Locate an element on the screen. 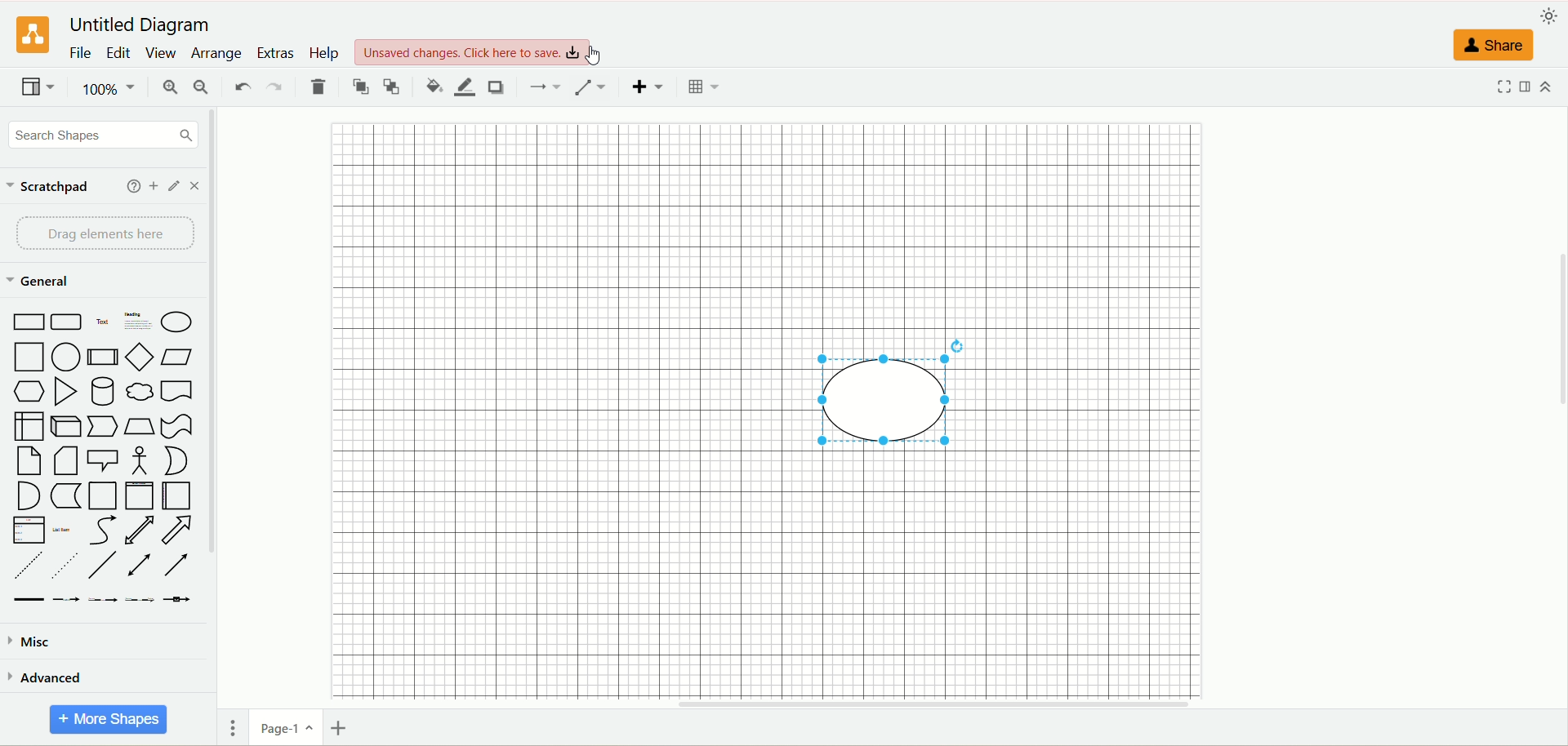 Image resolution: width=1568 pixels, height=746 pixels. vertical container is located at coordinates (140, 495).